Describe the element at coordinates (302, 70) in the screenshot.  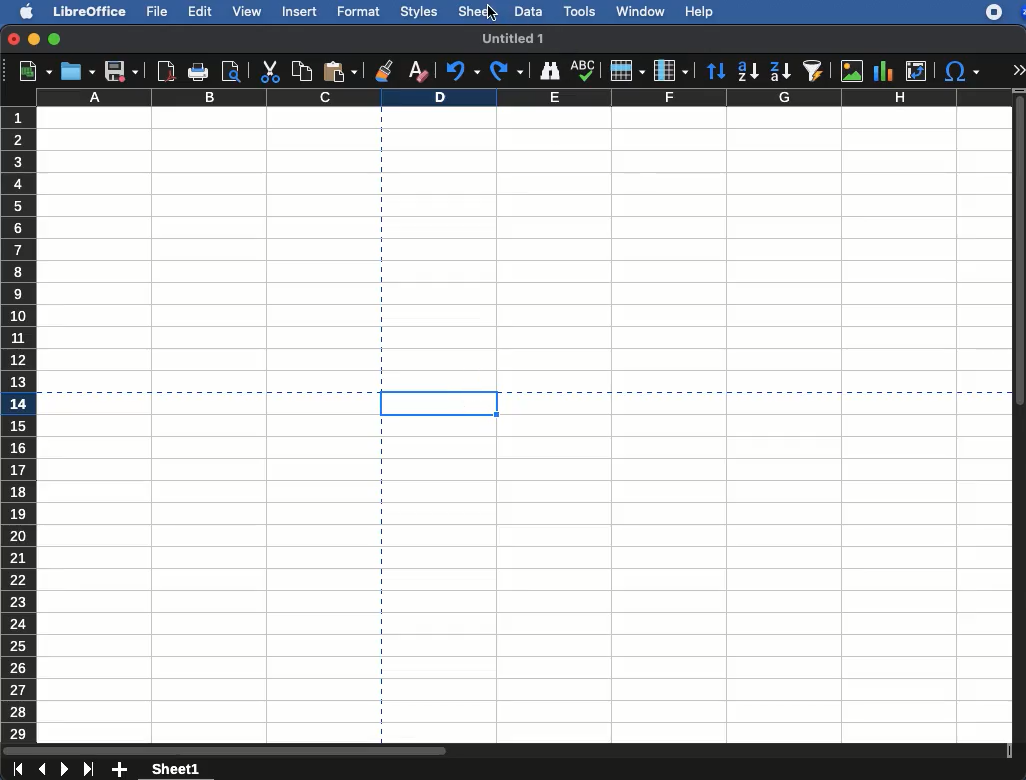
I see `copy` at that location.